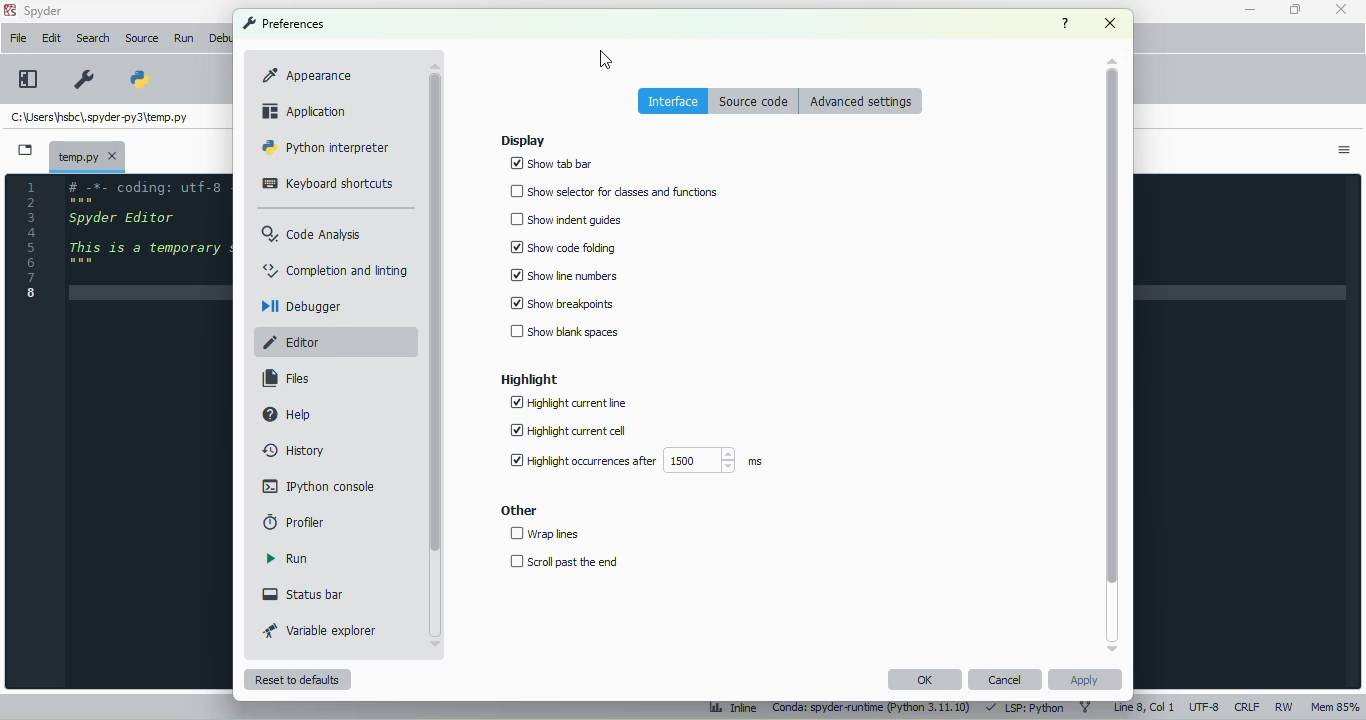 Image resolution: width=1366 pixels, height=720 pixels. Describe the element at coordinates (925, 680) in the screenshot. I see `OK` at that location.